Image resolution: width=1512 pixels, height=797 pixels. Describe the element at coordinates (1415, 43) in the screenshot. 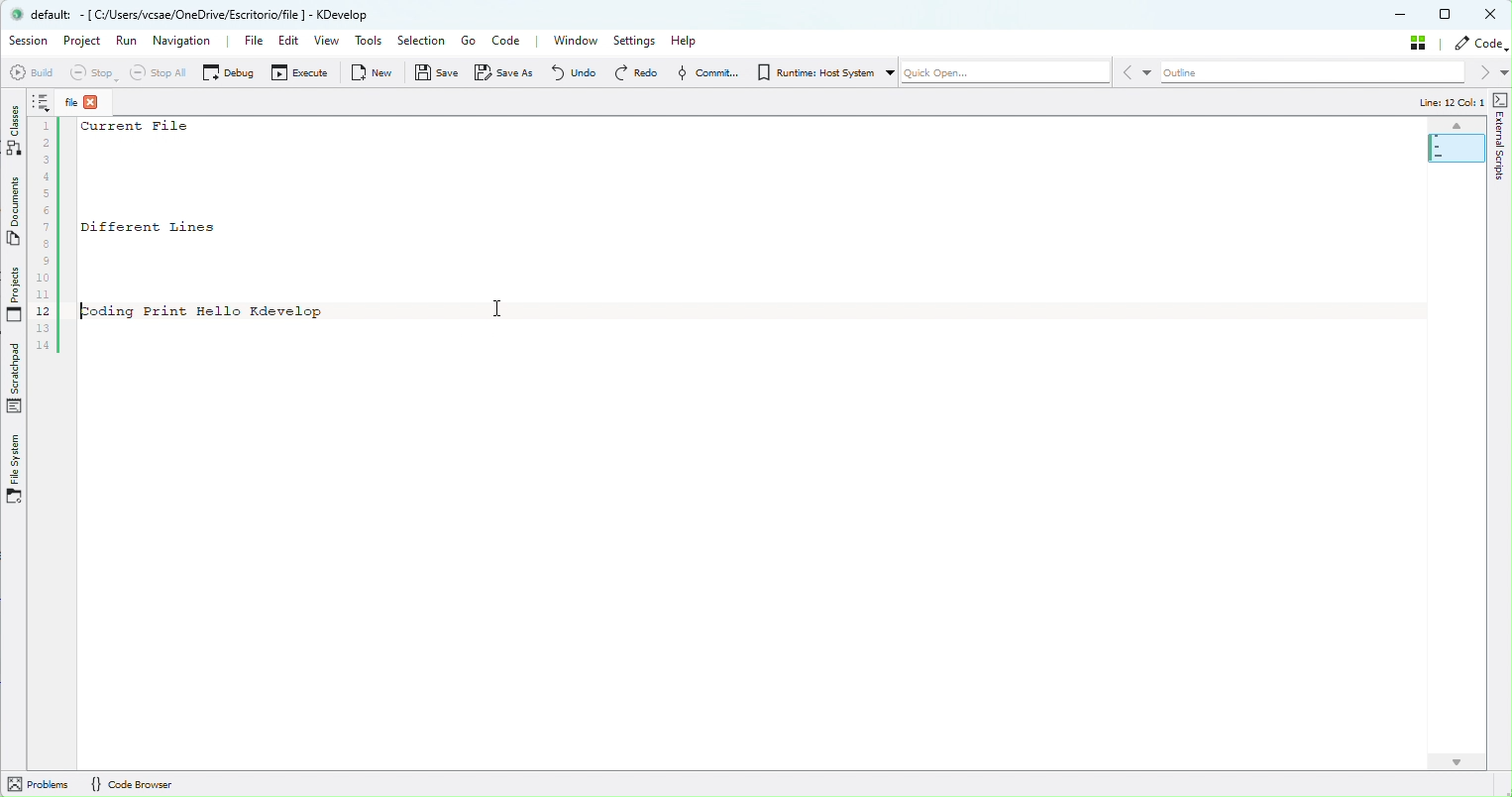

I see `Stash` at that location.